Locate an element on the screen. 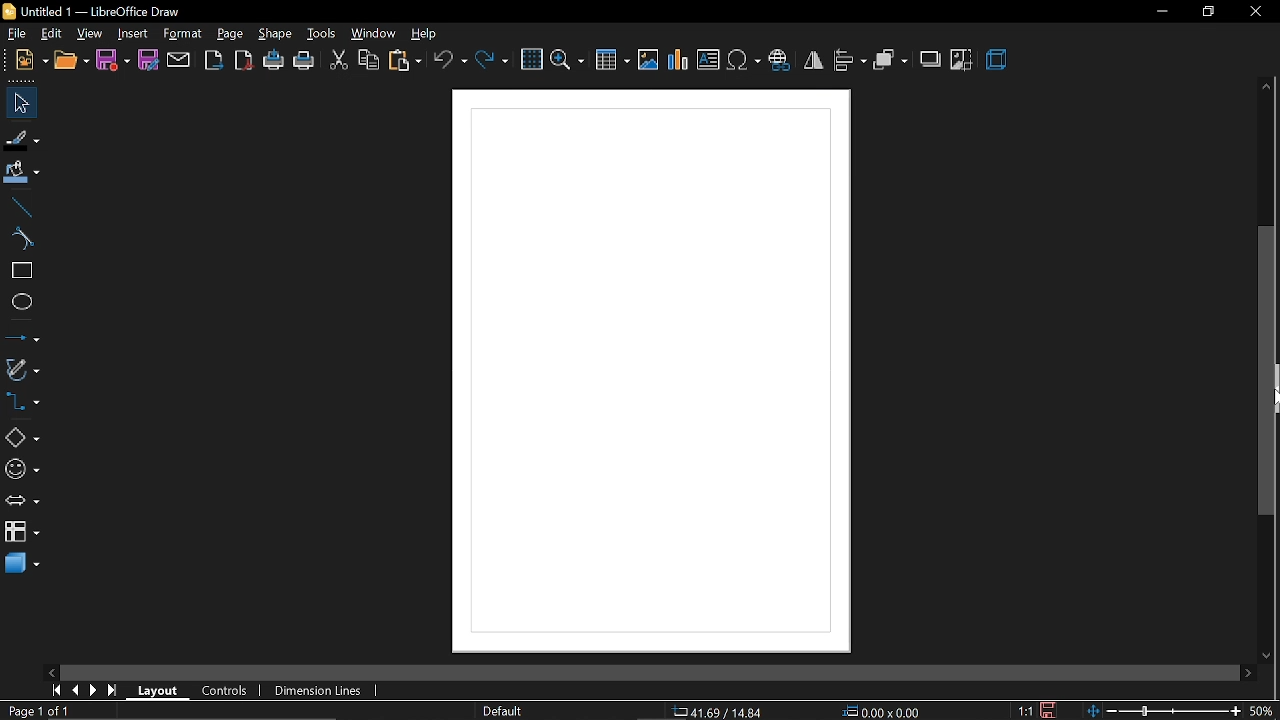 The width and height of the screenshot is (1280, 720). insert is located at coordinates (134, 34).